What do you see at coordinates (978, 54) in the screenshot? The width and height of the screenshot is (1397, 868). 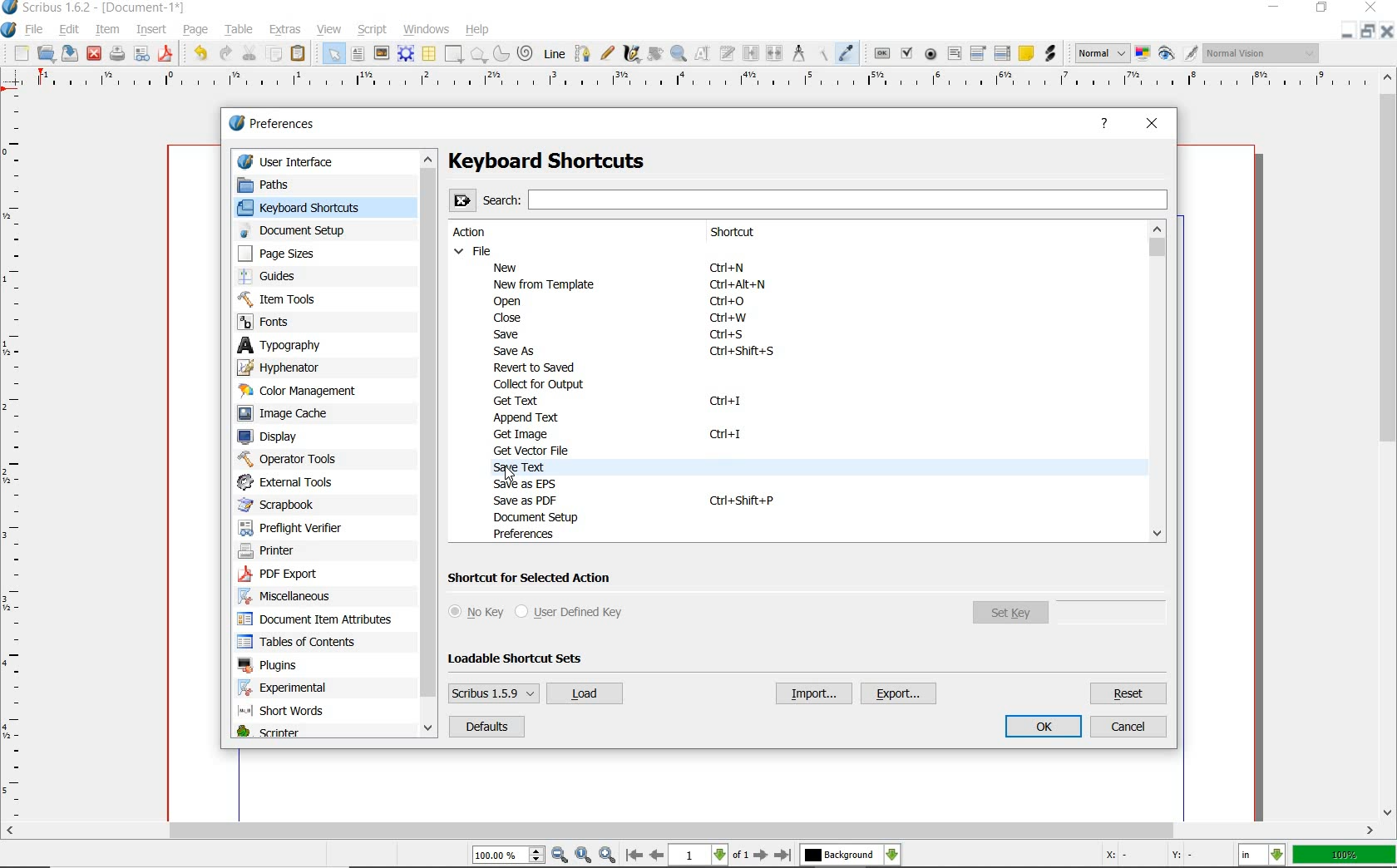 I see `pdf combo box` at bounding box center [978, 54].